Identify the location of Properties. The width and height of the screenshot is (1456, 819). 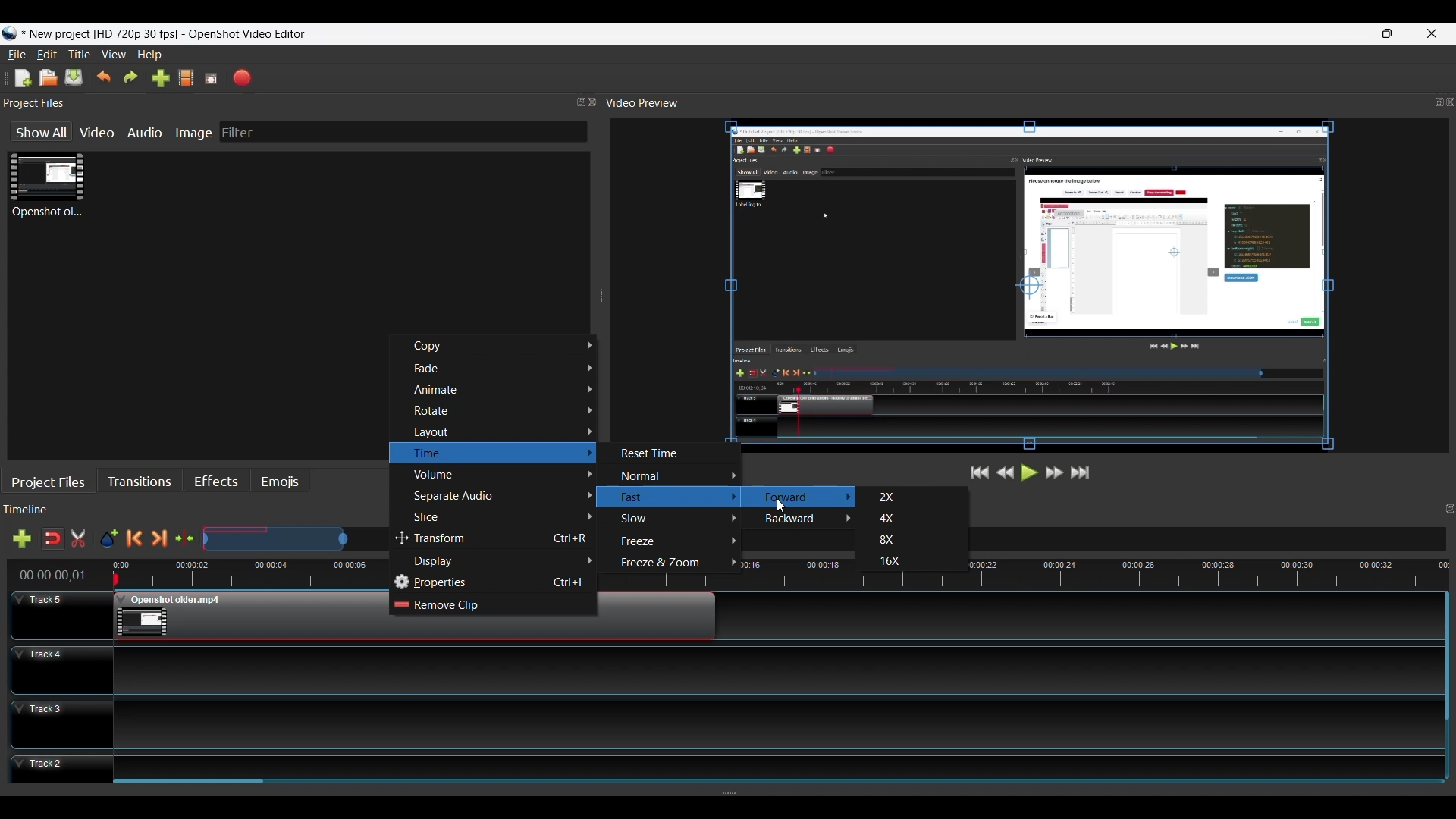
(494, 583).